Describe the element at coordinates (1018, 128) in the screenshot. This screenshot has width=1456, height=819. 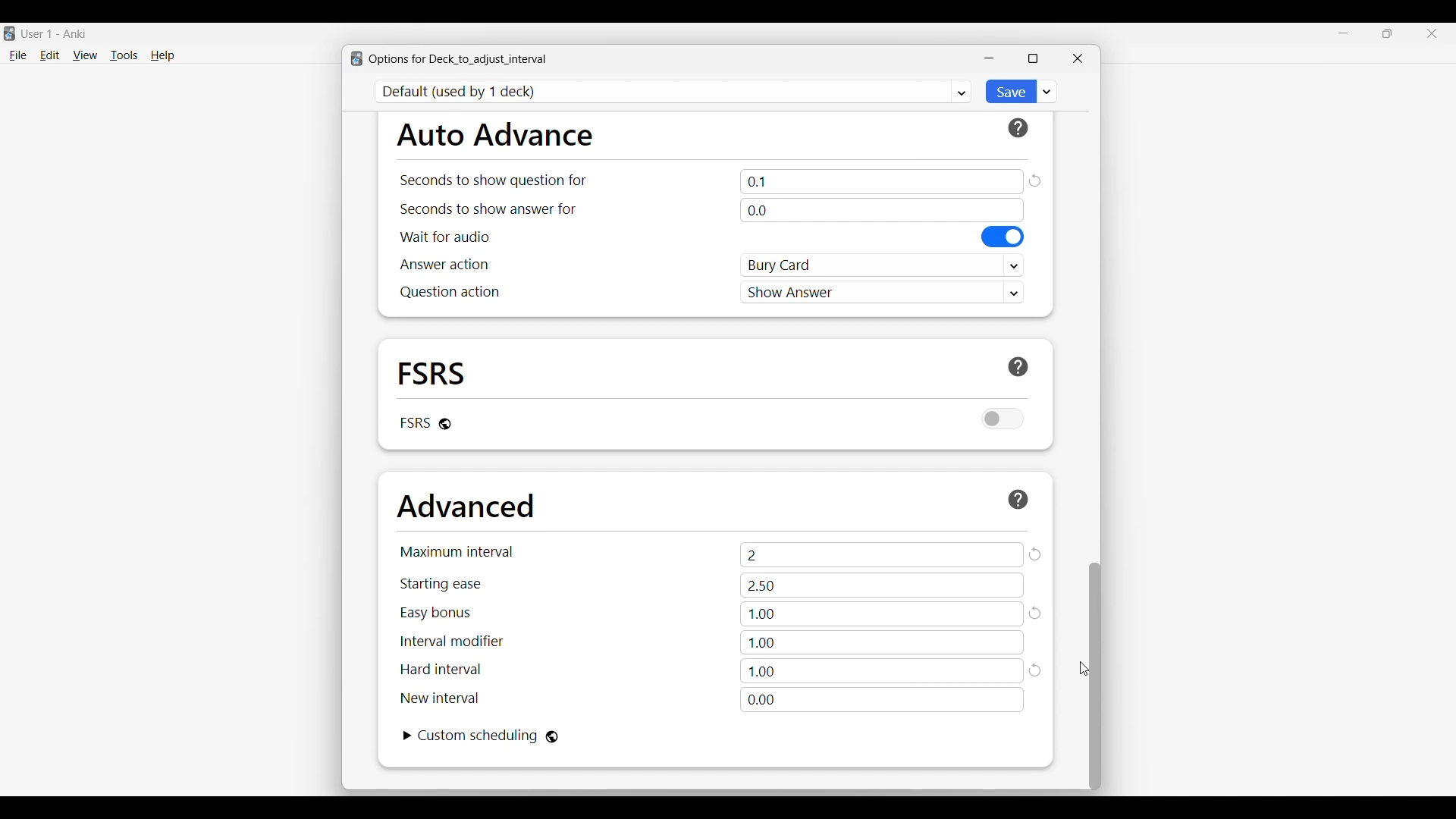
I see `Learn more about respective section` at that location.